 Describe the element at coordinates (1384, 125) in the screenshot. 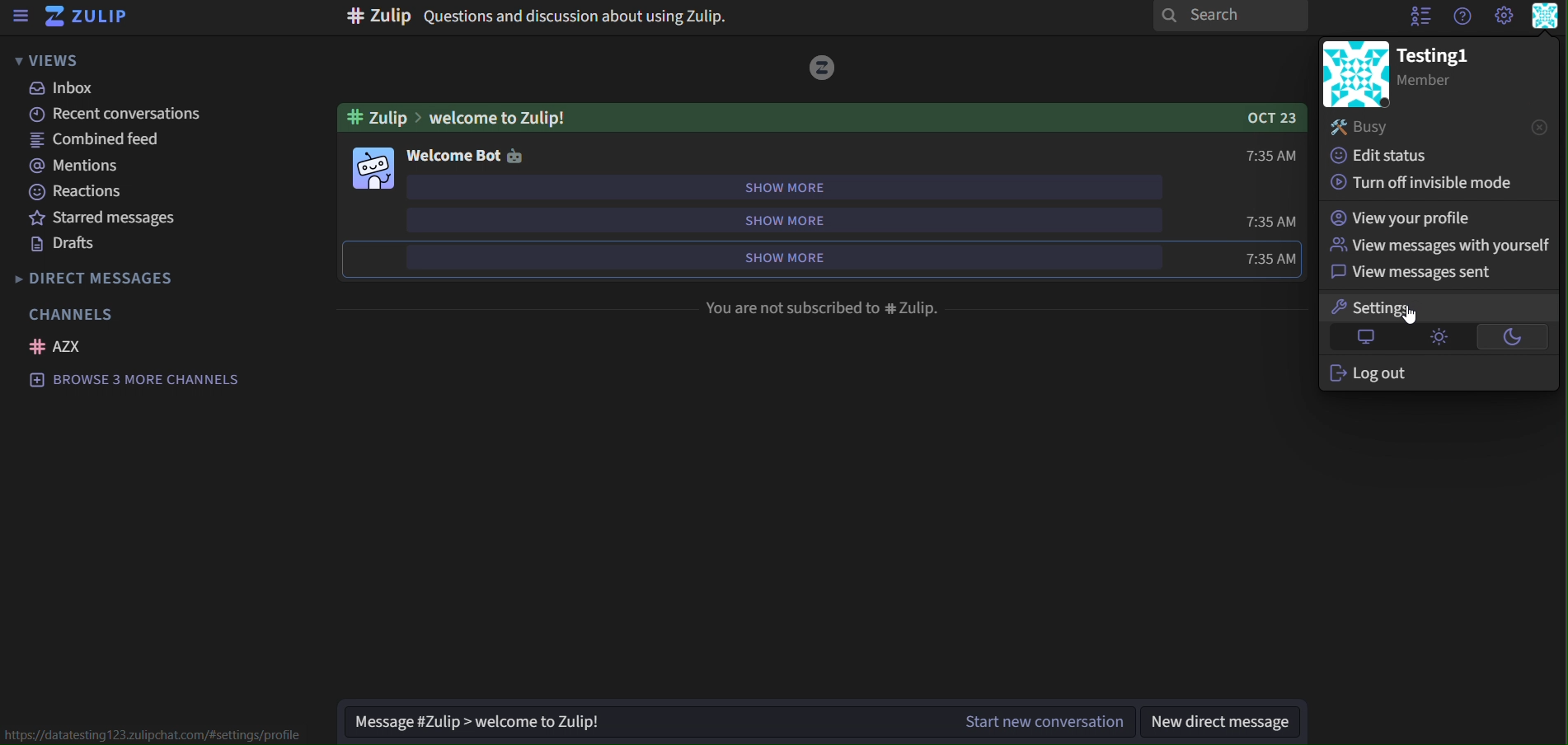

I see `busy` at that location.